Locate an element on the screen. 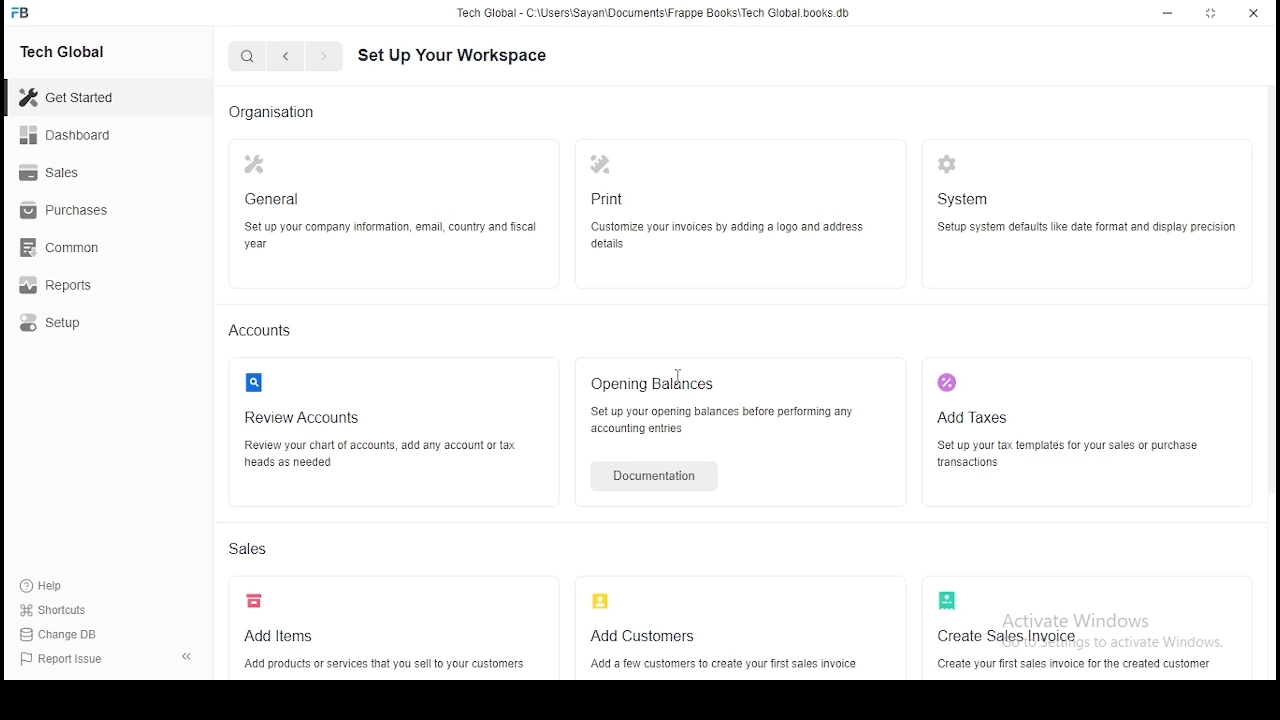 This screenshot has height=720, width=1280. General is located at coordinates (390, 210).